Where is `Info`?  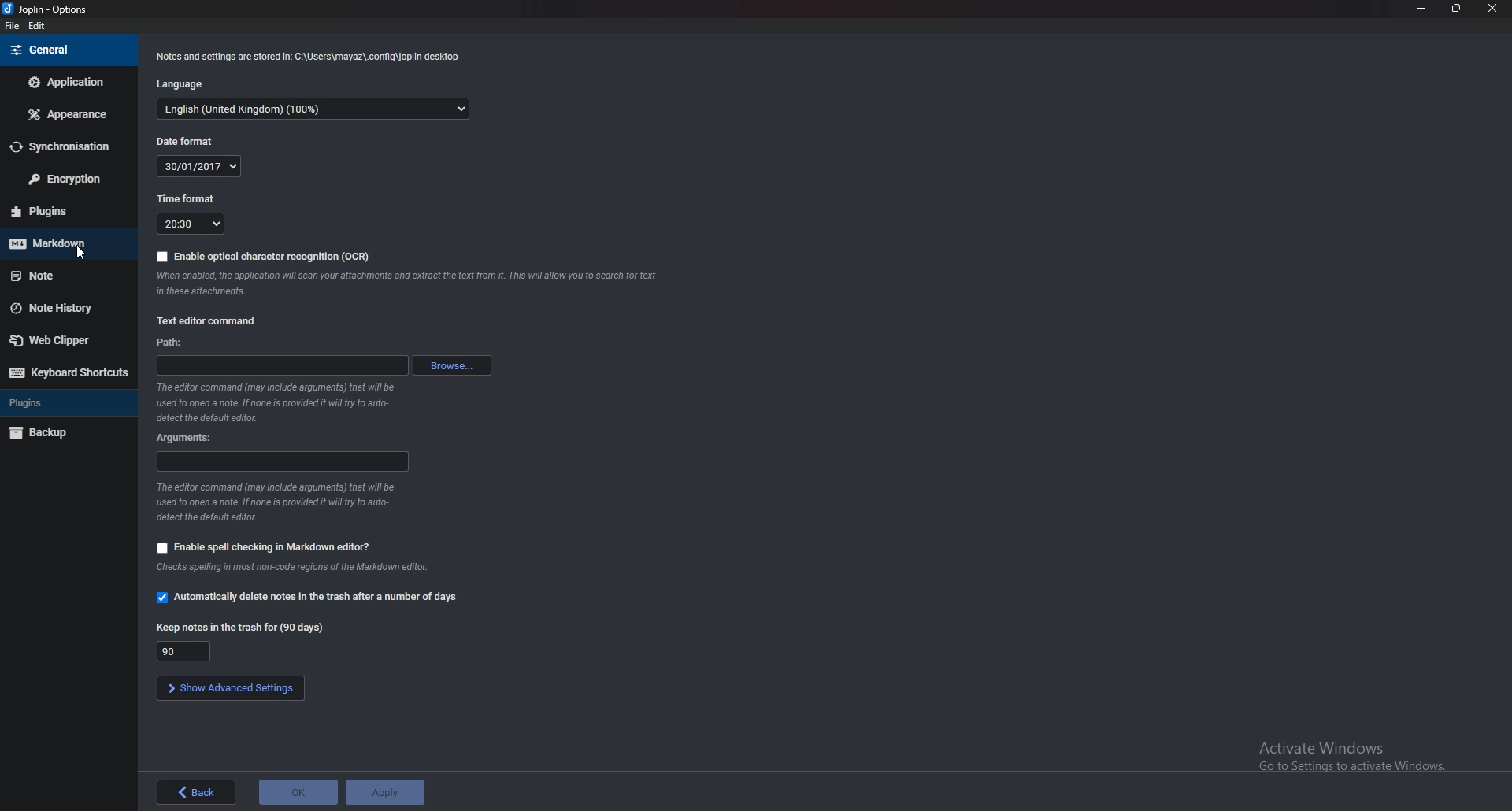
Info is located at coordinates (294, 568).